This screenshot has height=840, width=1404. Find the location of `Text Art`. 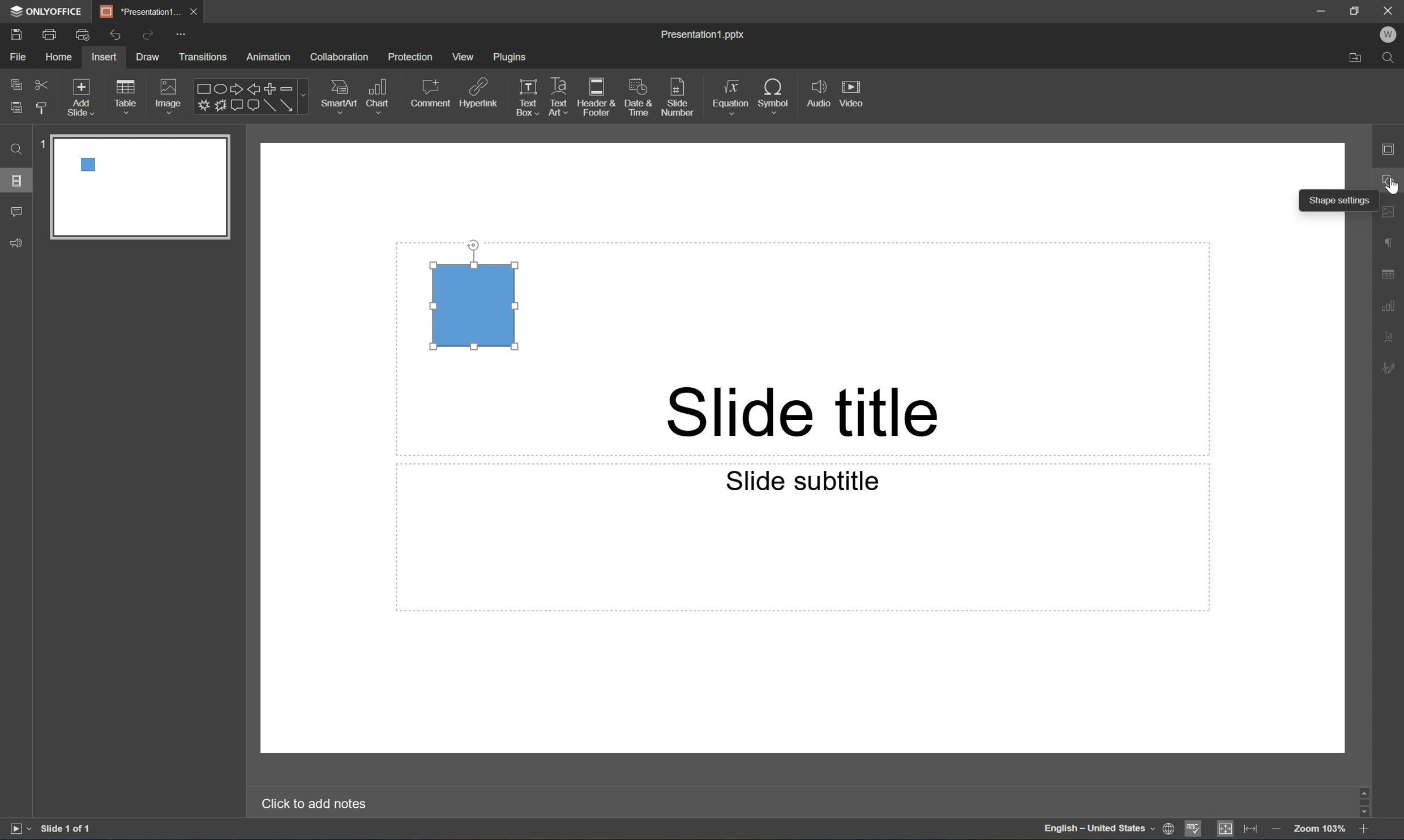

Text Art is located at coordinates (559, 98).